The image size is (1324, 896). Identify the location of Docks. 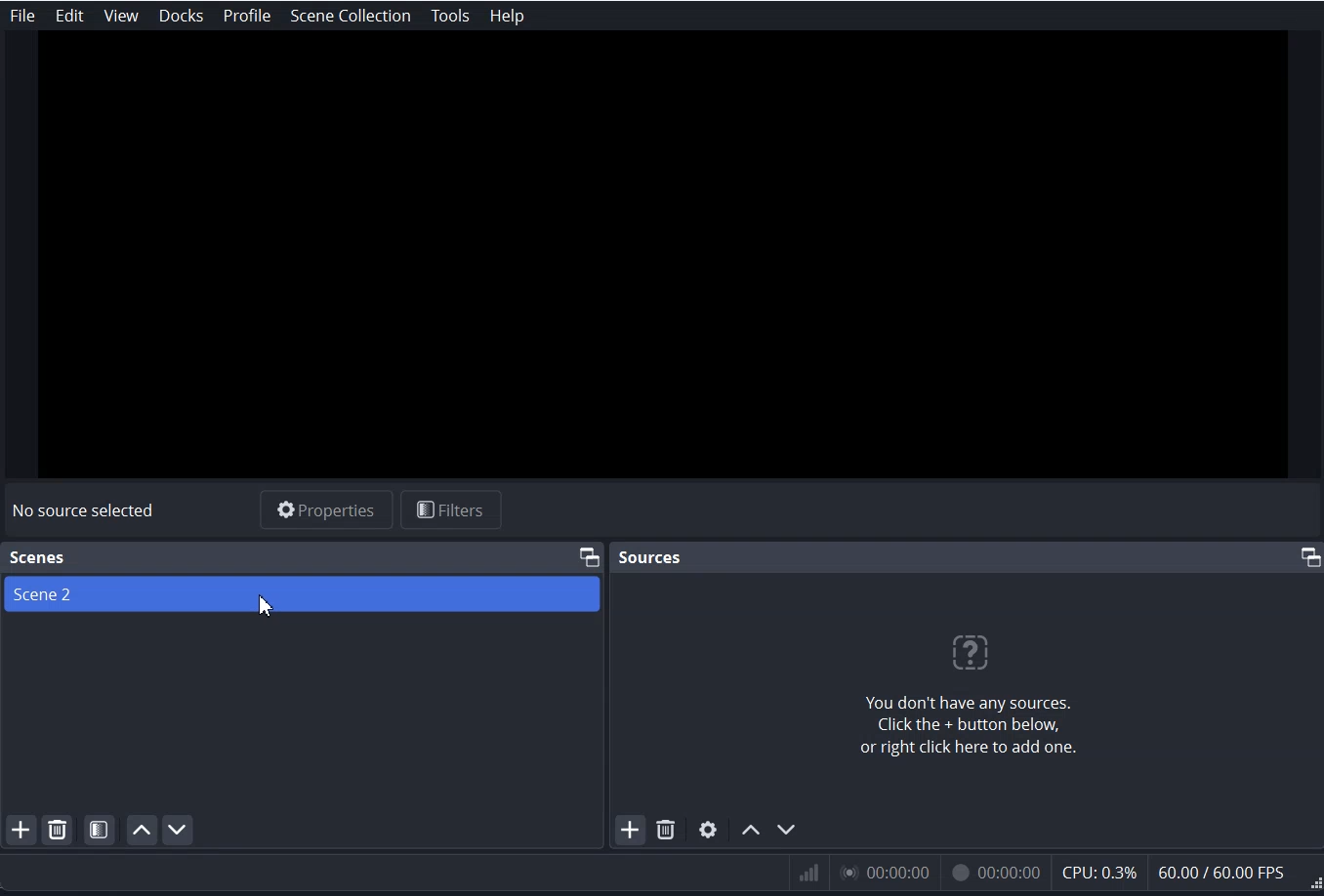
(184, 16).